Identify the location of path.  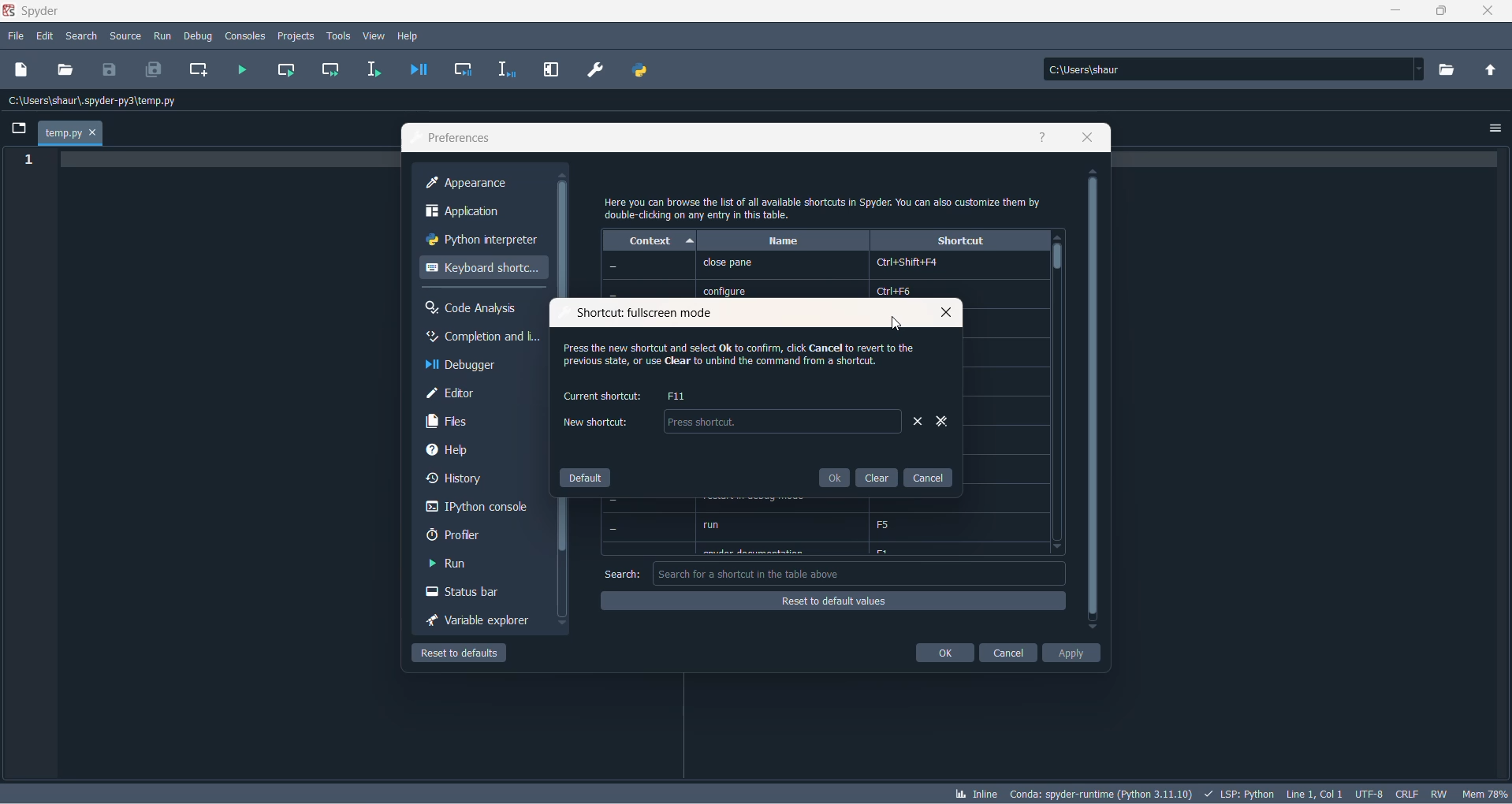
(1230, 69).